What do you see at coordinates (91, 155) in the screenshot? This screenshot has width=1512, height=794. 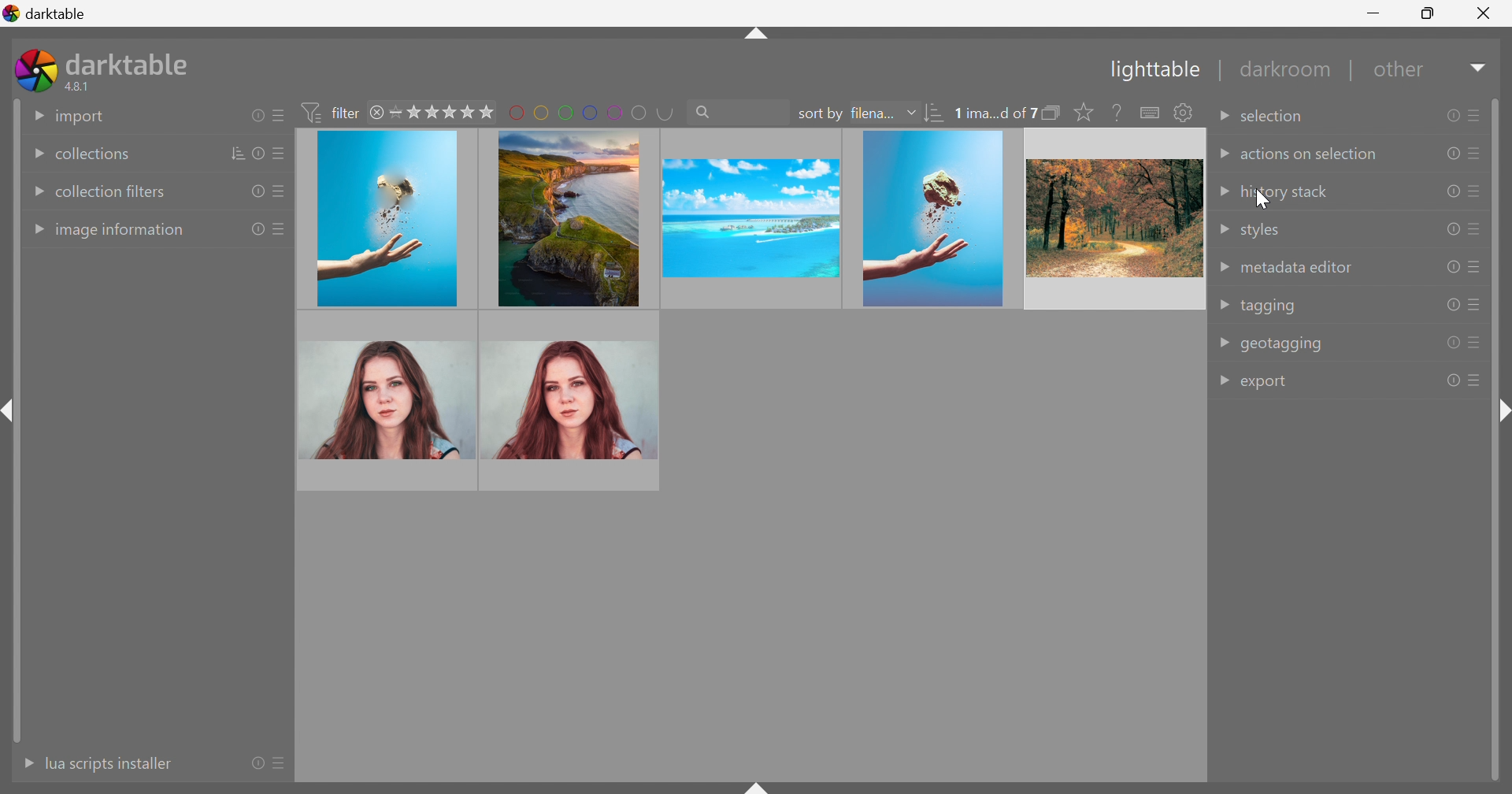 I see `collections` at bounding box center [91, 155].